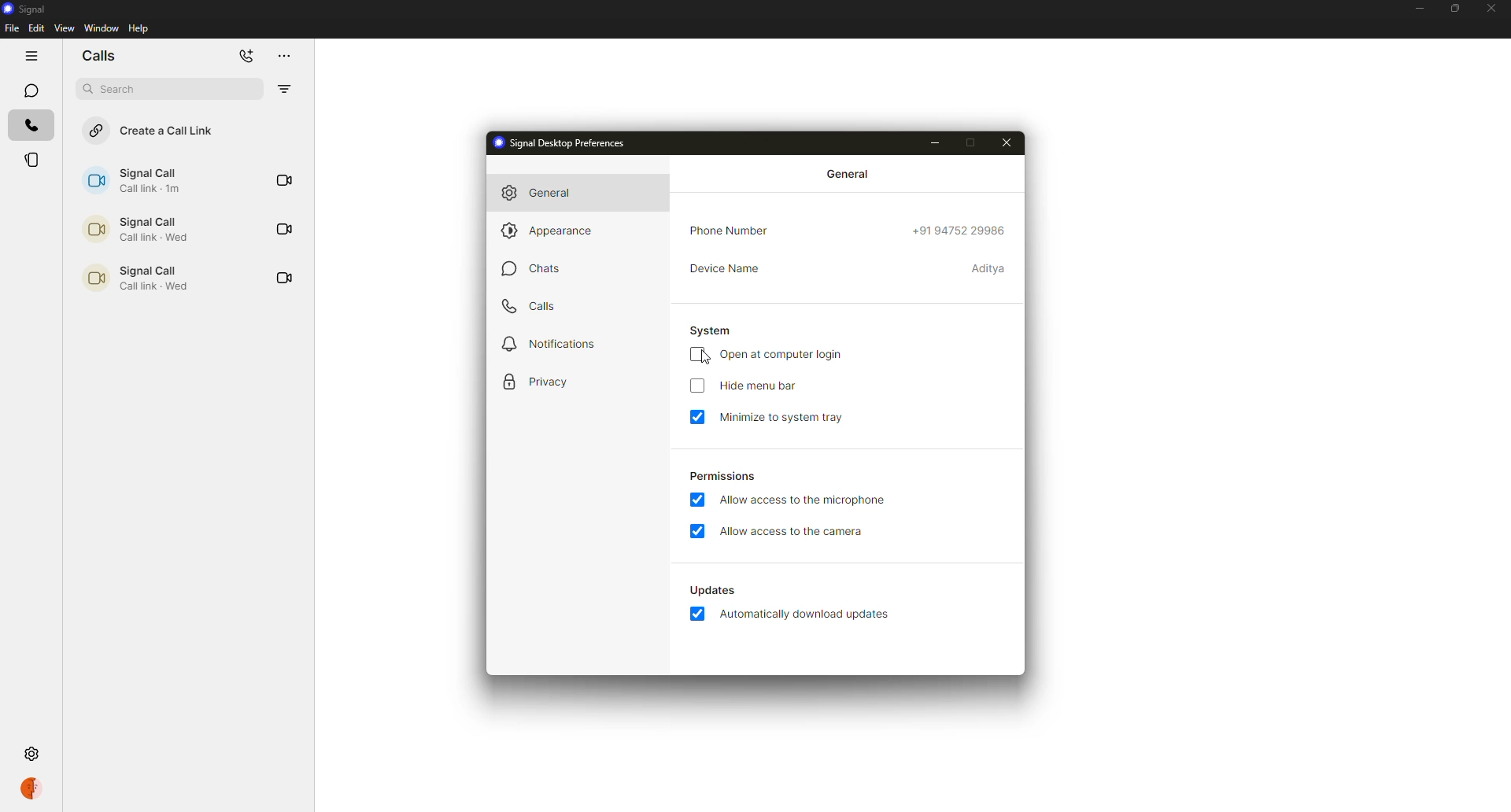  Describe the element at coordinates (133, 277) in the screenshot. I see `call link` at that location.